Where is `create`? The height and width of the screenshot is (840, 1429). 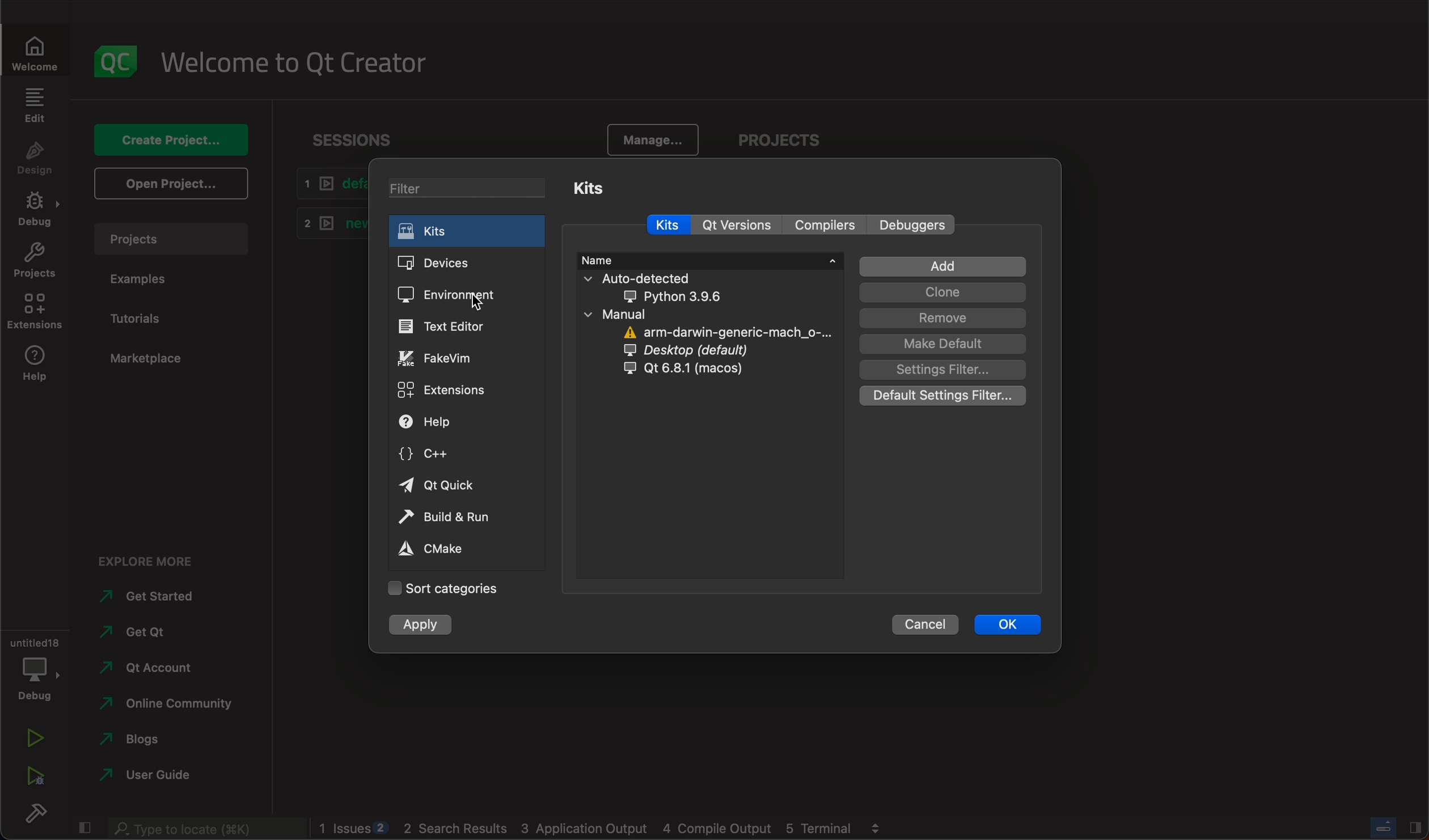
create is located at coordinates (175, 142).